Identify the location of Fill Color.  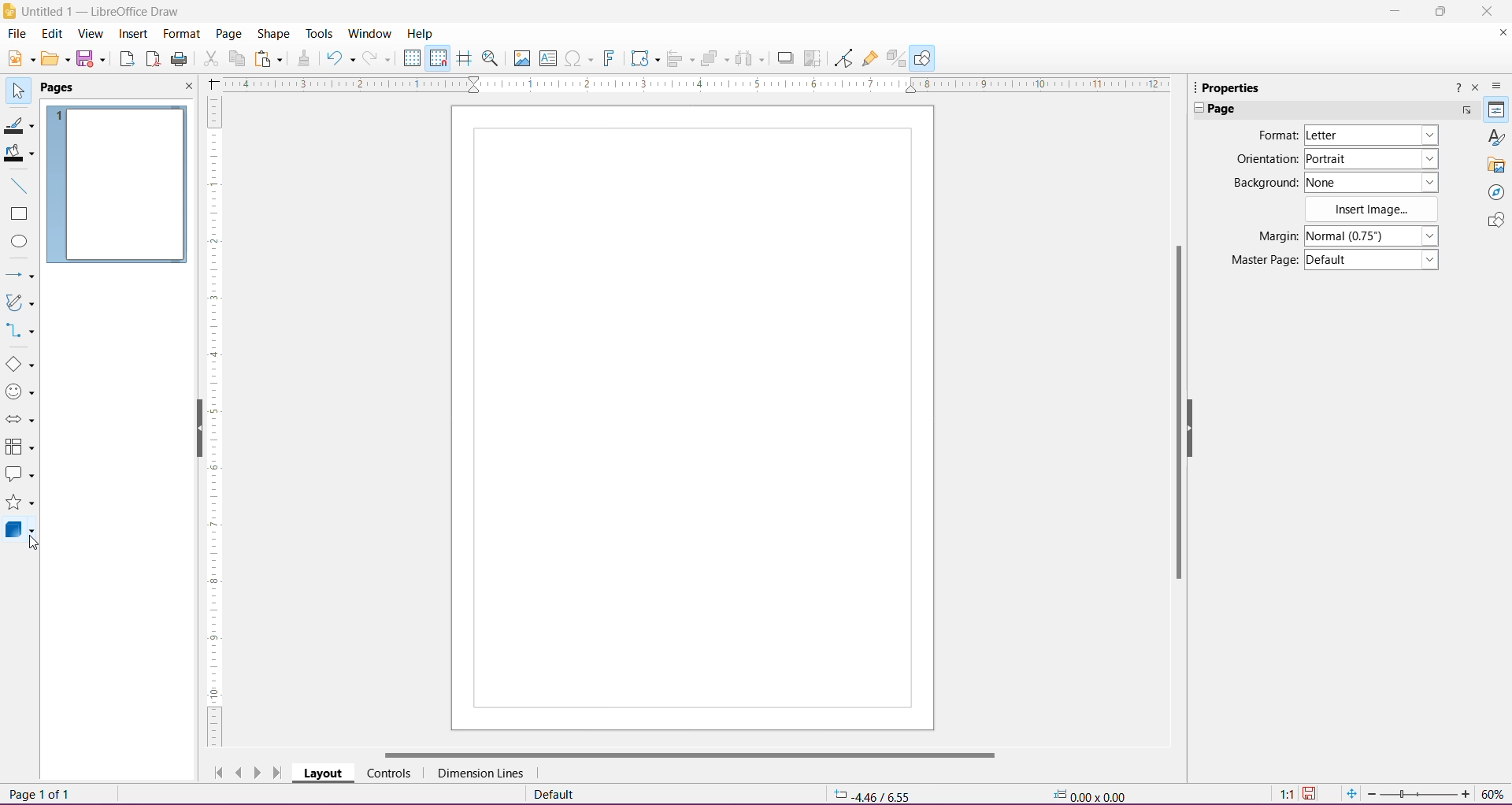
(19, 154).